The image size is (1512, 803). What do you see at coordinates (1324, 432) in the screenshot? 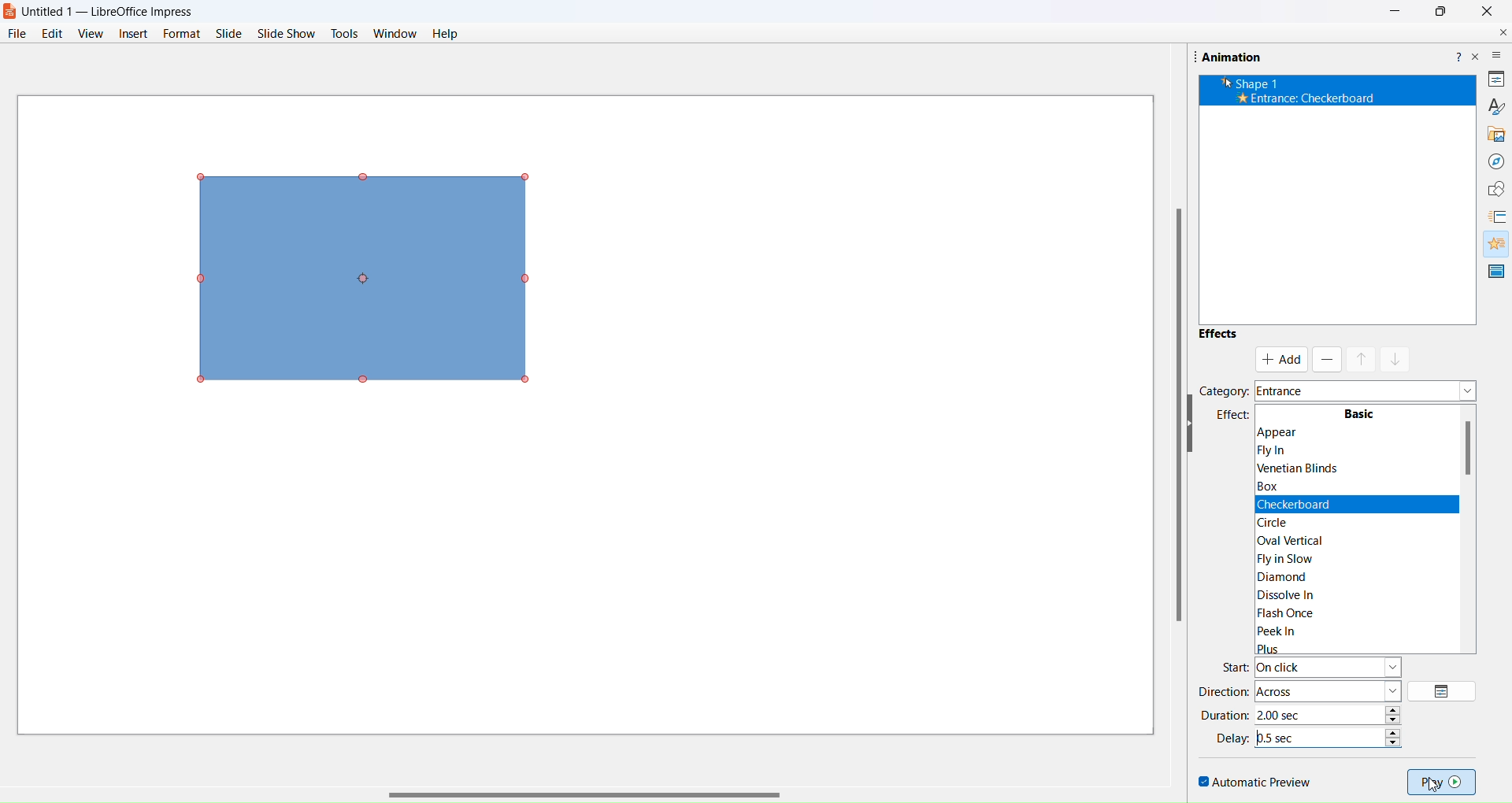
I see `Appear` at bounding box center [1324, 432].